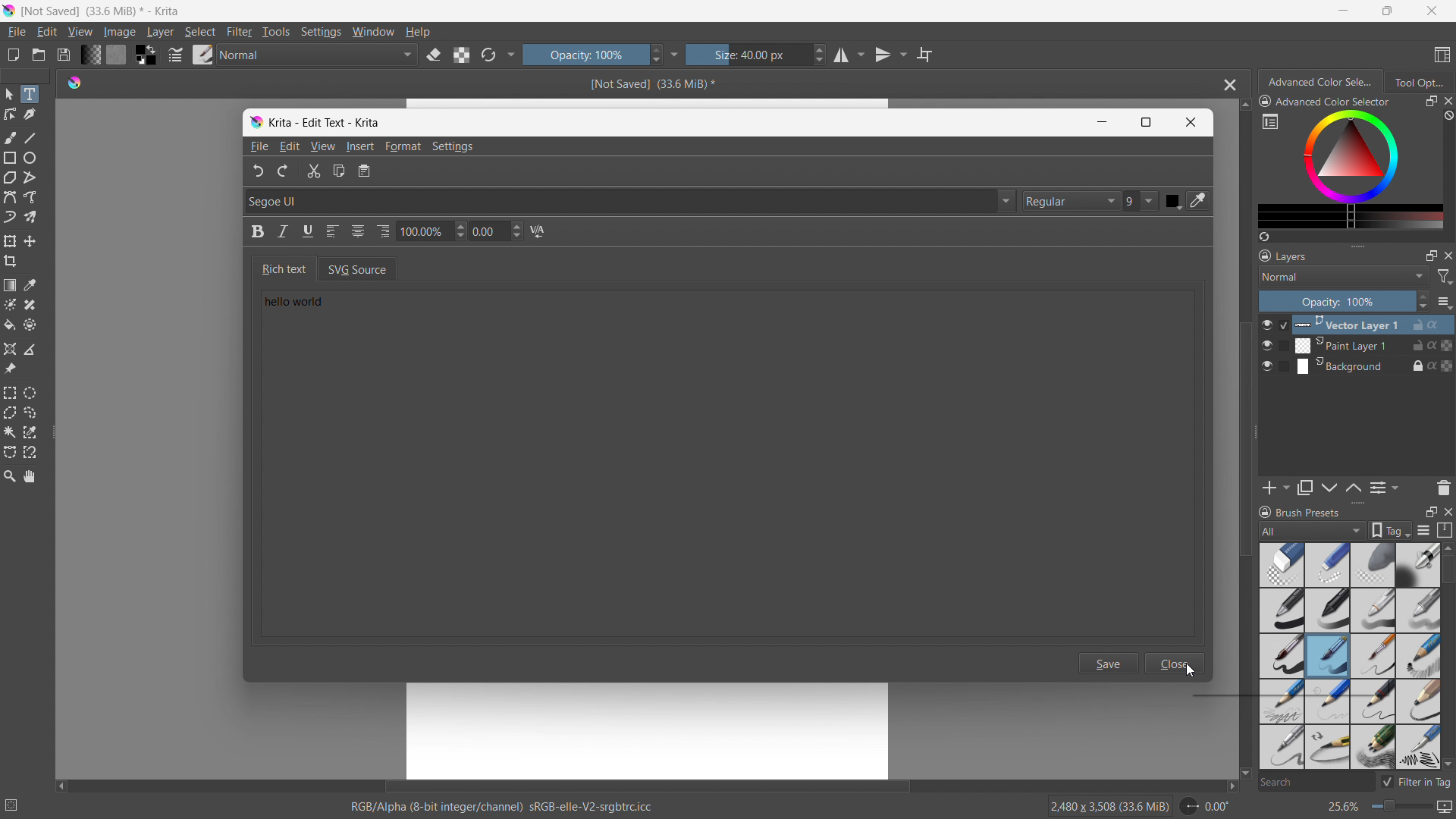 This screenshot has height=819, width=1456. Describe the element at coordinates (648, 83) in the screenshot. I see `Not saved(33.5 Mib` at that location.